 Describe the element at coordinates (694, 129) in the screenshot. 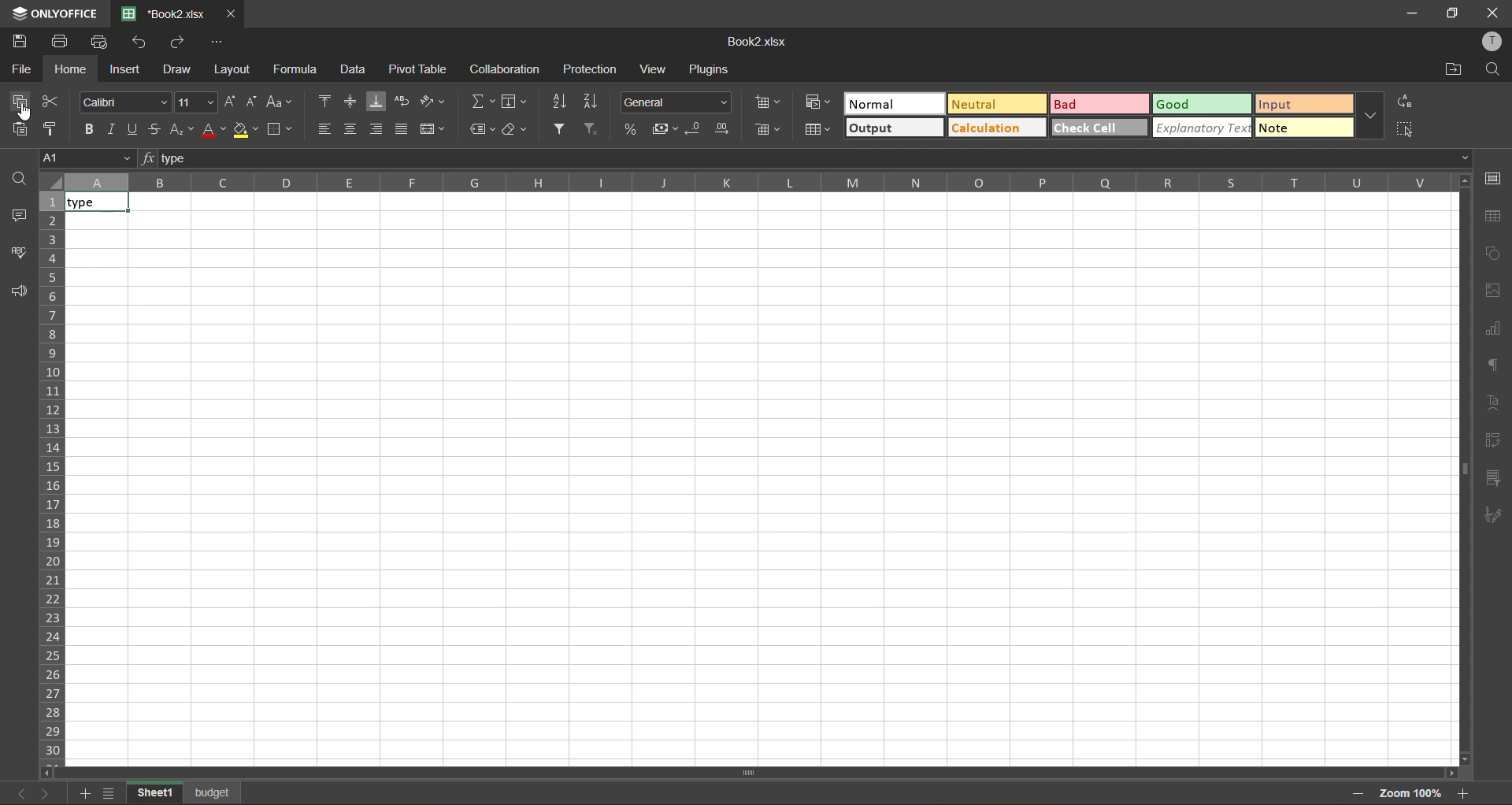

I see `decrease decimal` at that location.